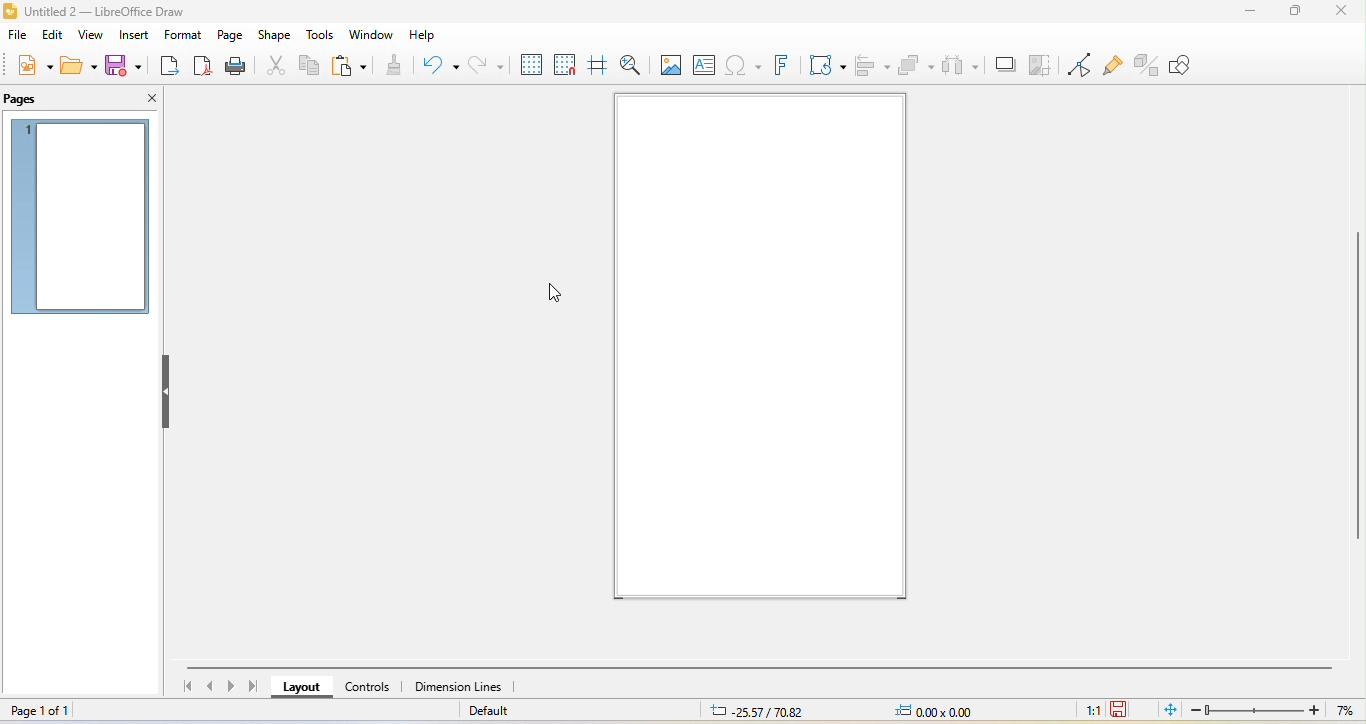 The height and width of the screenshot is (724, 1366). I want to click on 25.57/70.82, so click(757, 711).